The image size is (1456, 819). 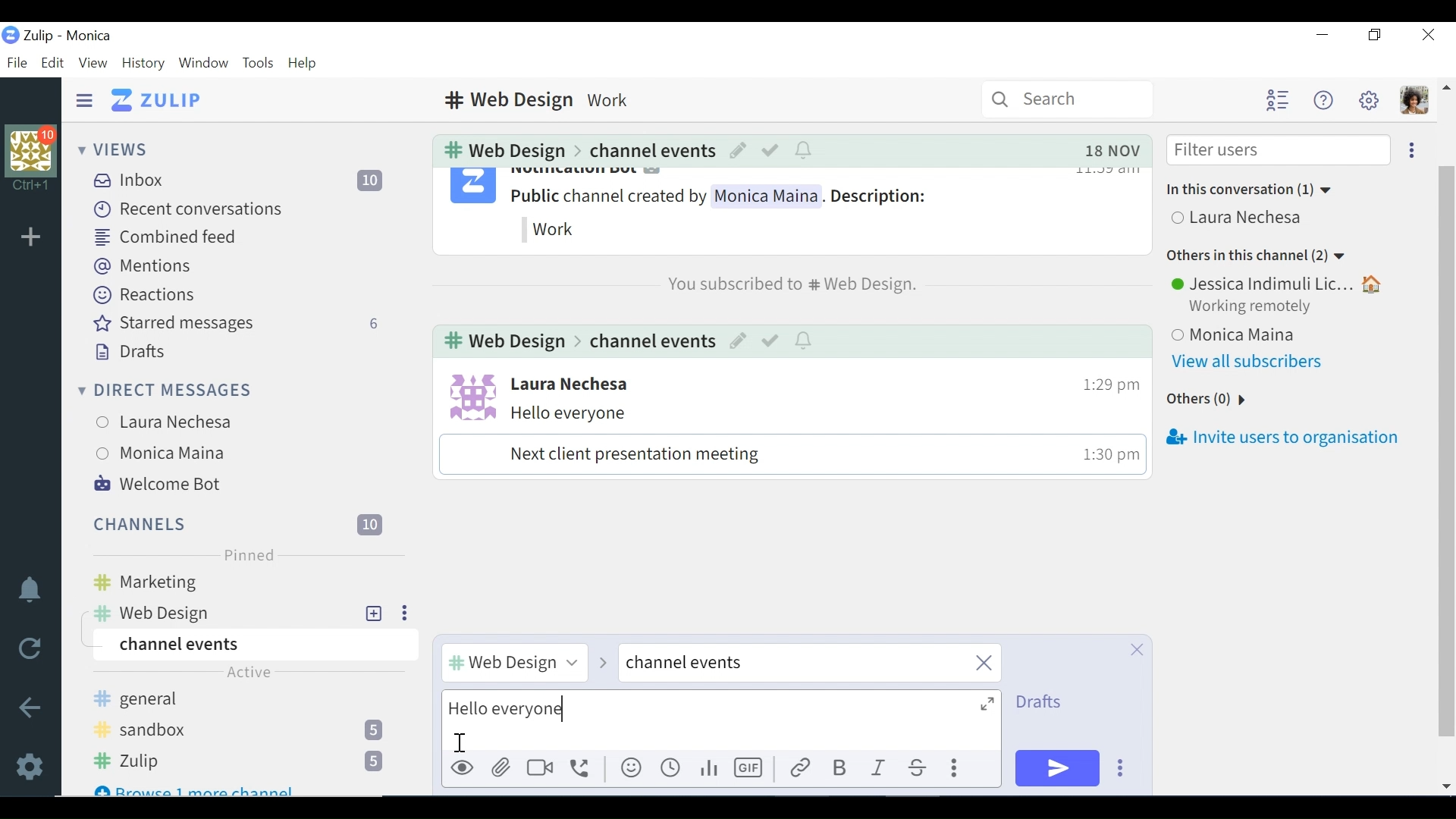 What do you see at coordinates (1104, 457) in the screenshot?
I see `time` at bounding box center [1104, 457].